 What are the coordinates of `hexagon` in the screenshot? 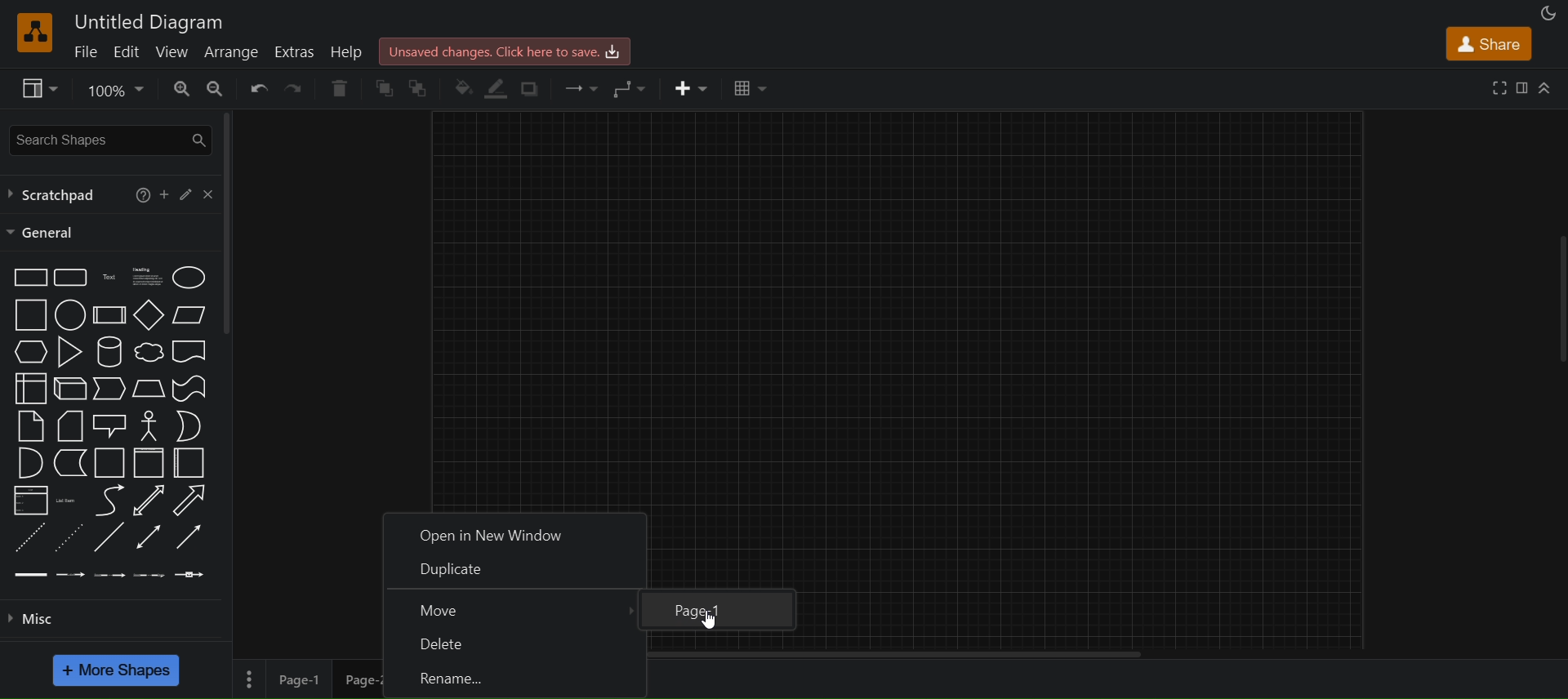 It's located at (32, 352).